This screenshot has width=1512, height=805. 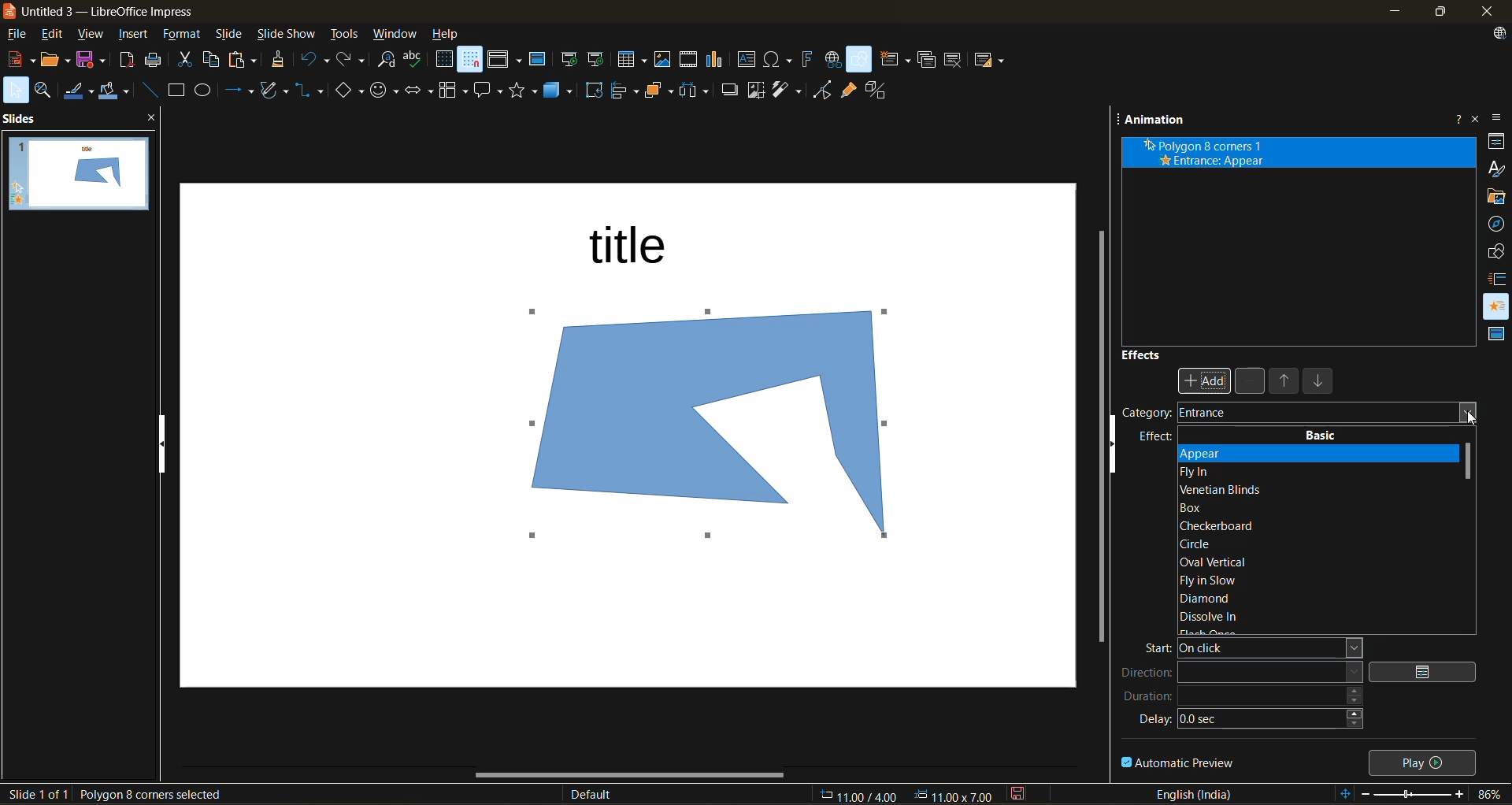 What do you see at coordinates (125, 59) in the screenshot?
I see `export as pdf` at bounding box center [125, 59].